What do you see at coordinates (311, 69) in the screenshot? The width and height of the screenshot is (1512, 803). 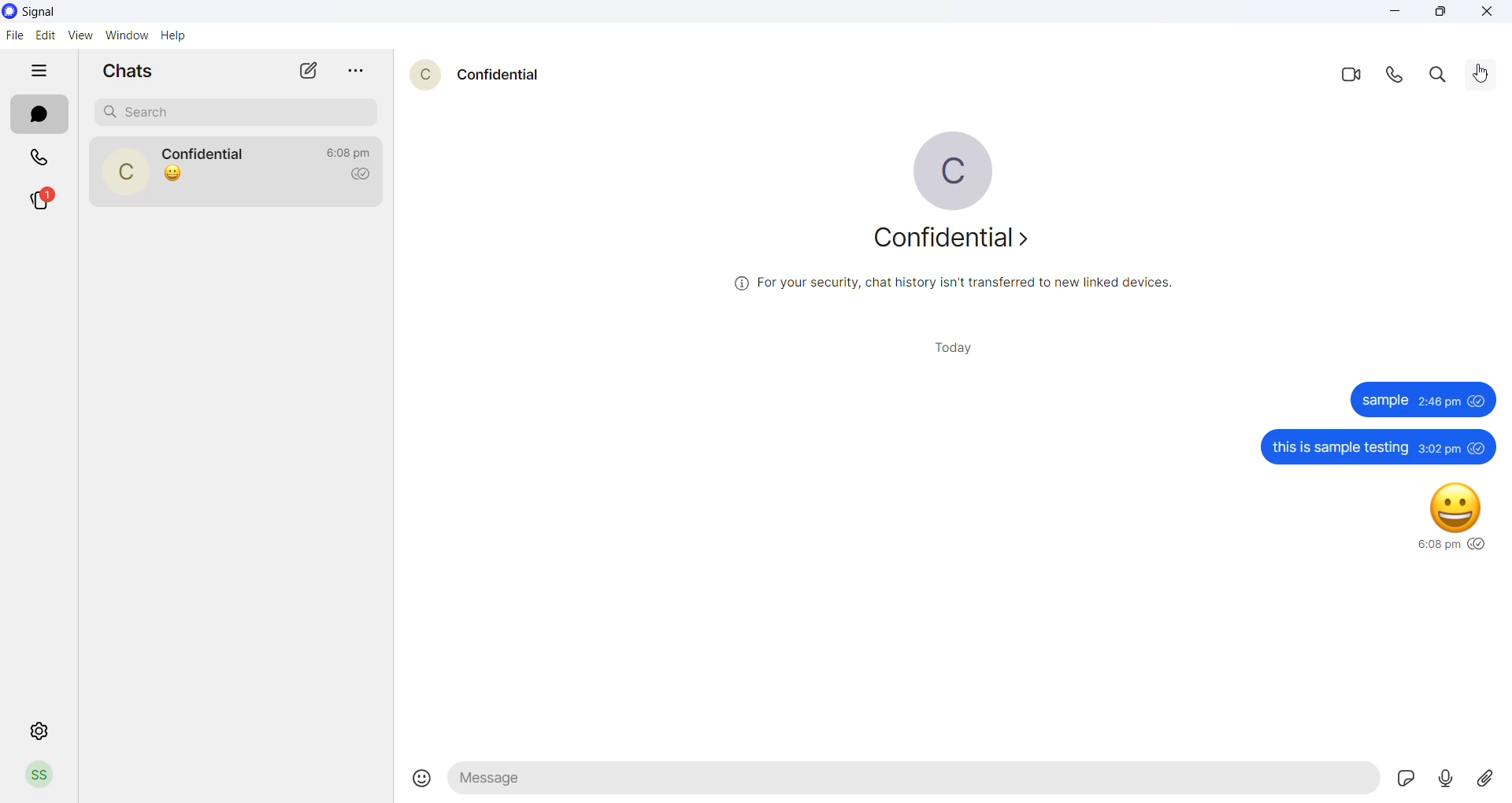 I see `new chat` at bounding box center [311, 69].